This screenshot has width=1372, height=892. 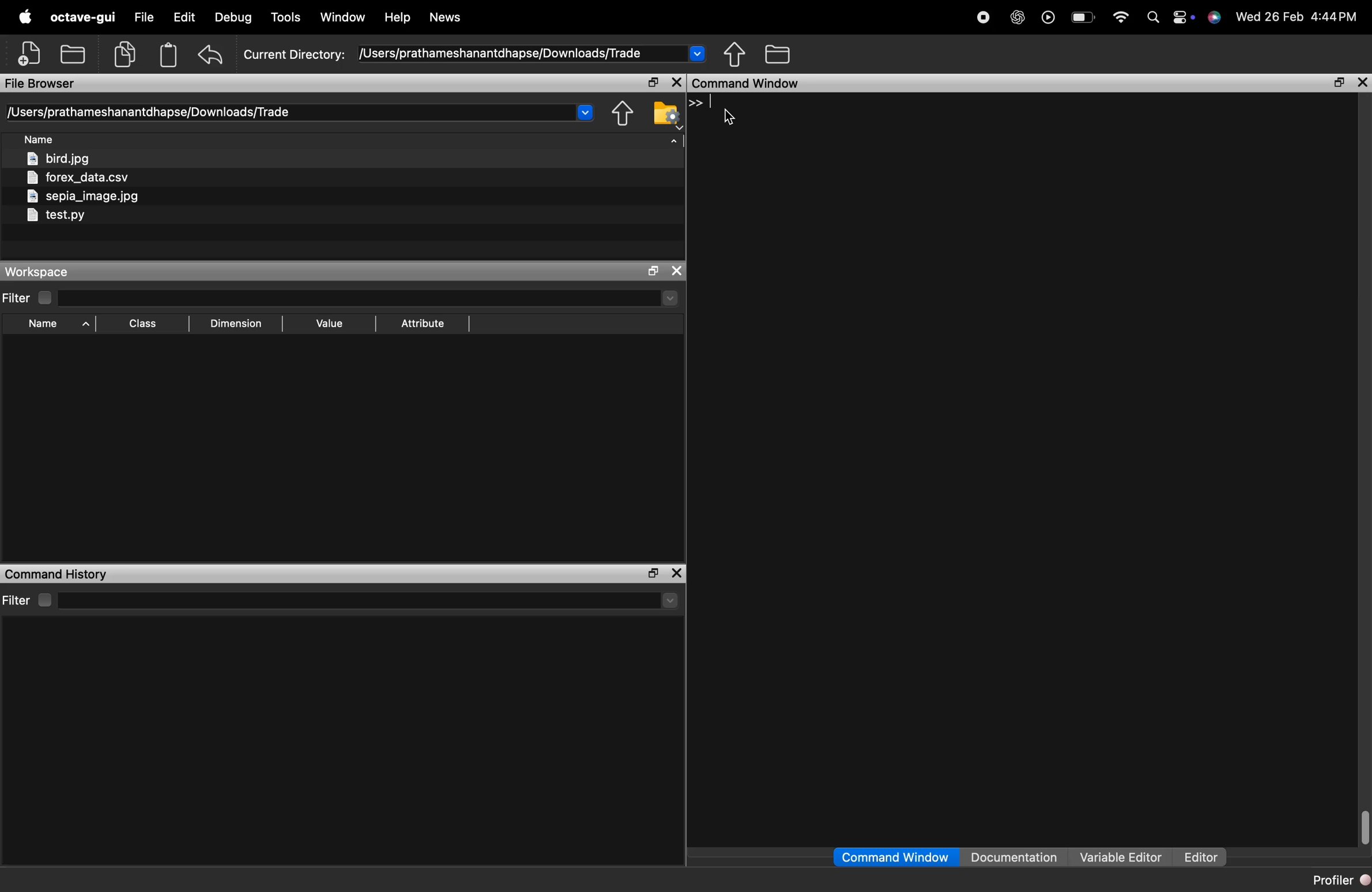 I want to click on Value, so click(x=330, y=324).